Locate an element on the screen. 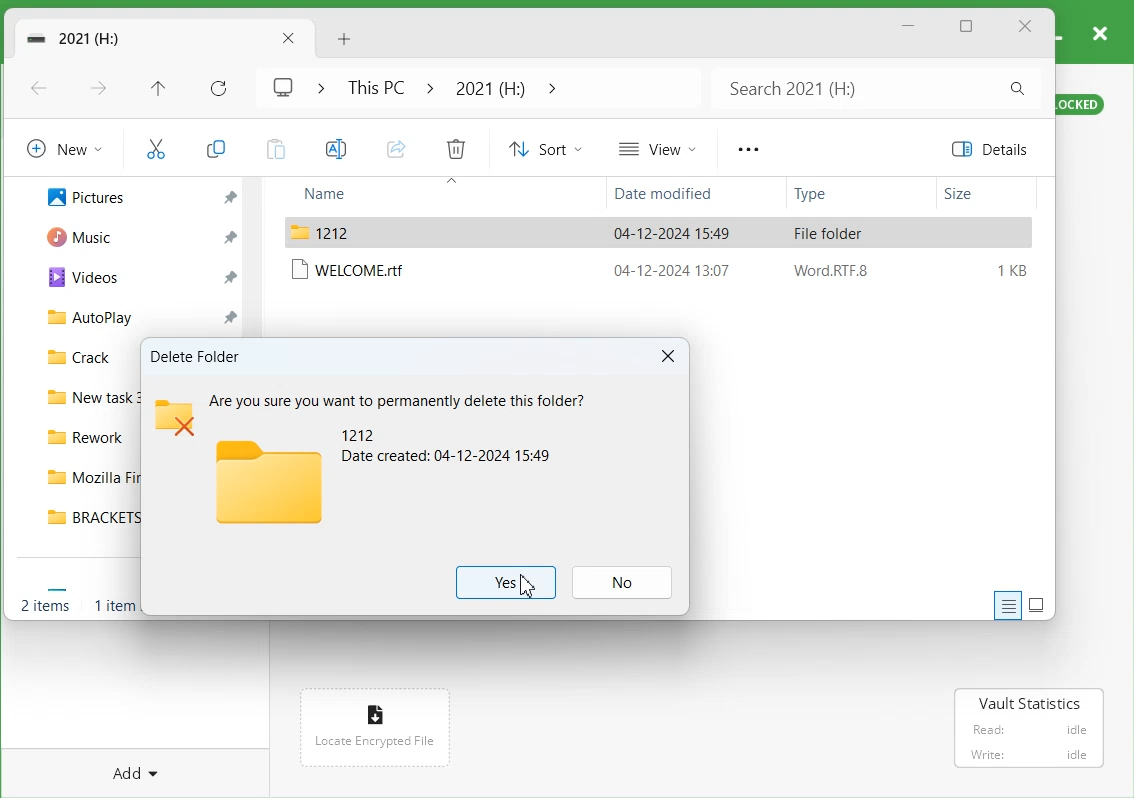 The height and width of the screenshot is (798, 1134). Display item by using large thumbnail is located at coordinates (1037, 605).